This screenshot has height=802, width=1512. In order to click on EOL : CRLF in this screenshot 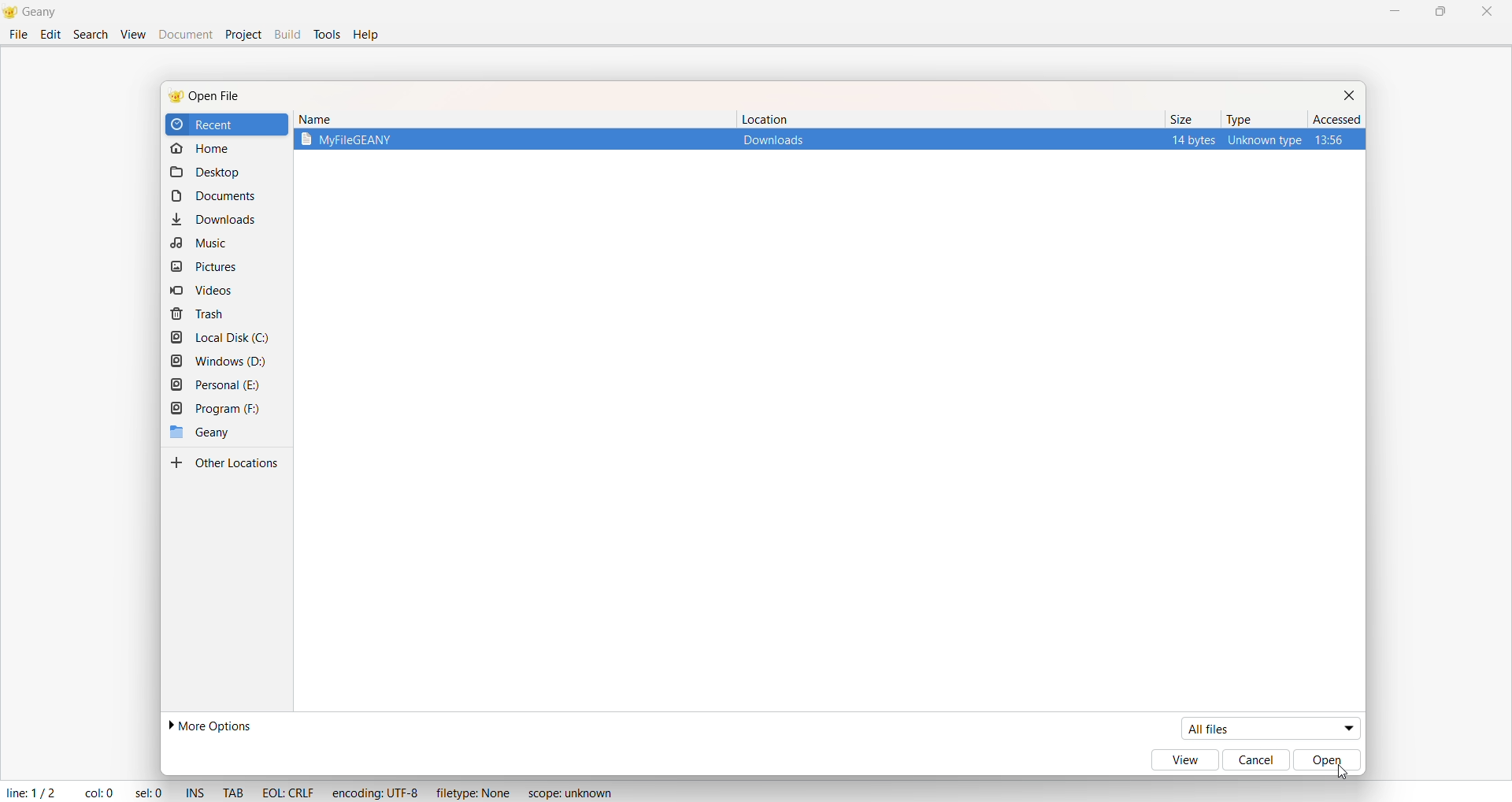, I will do `click(285, 793)`.